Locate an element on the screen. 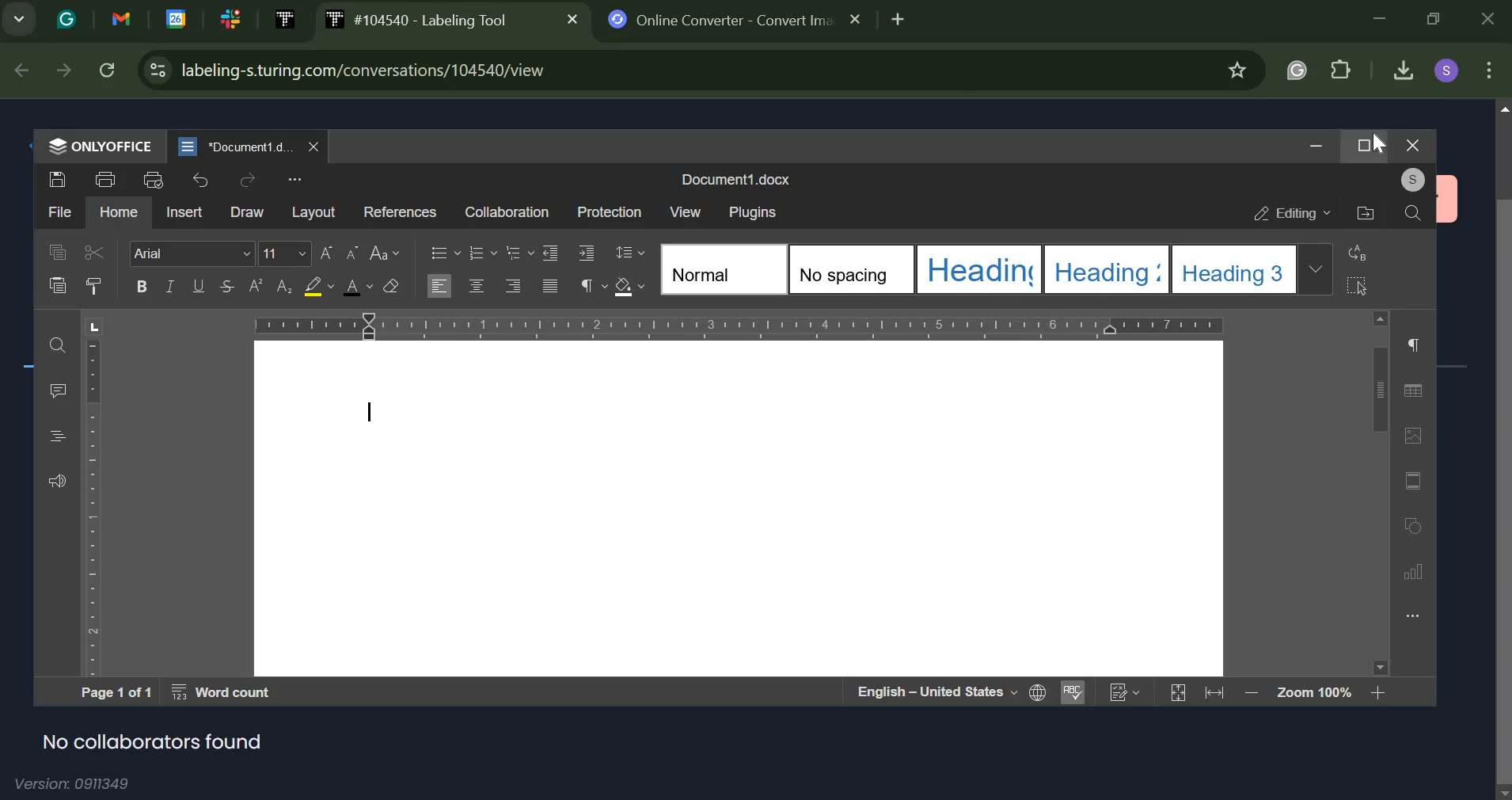  Online Converter - Convert Im: is located at coordinates (736, 20).